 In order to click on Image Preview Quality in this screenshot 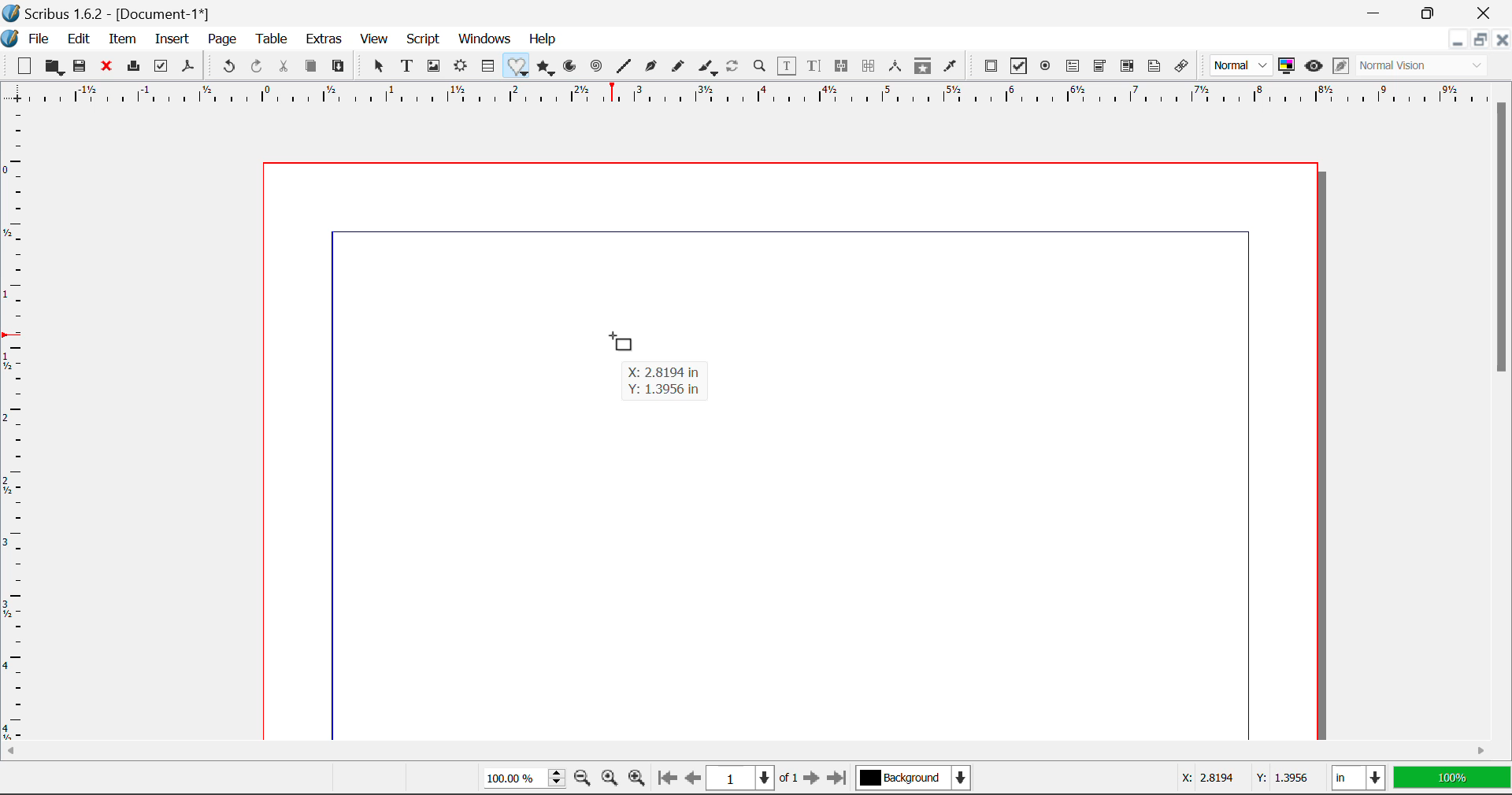, I will do `click(1243, 65)`.